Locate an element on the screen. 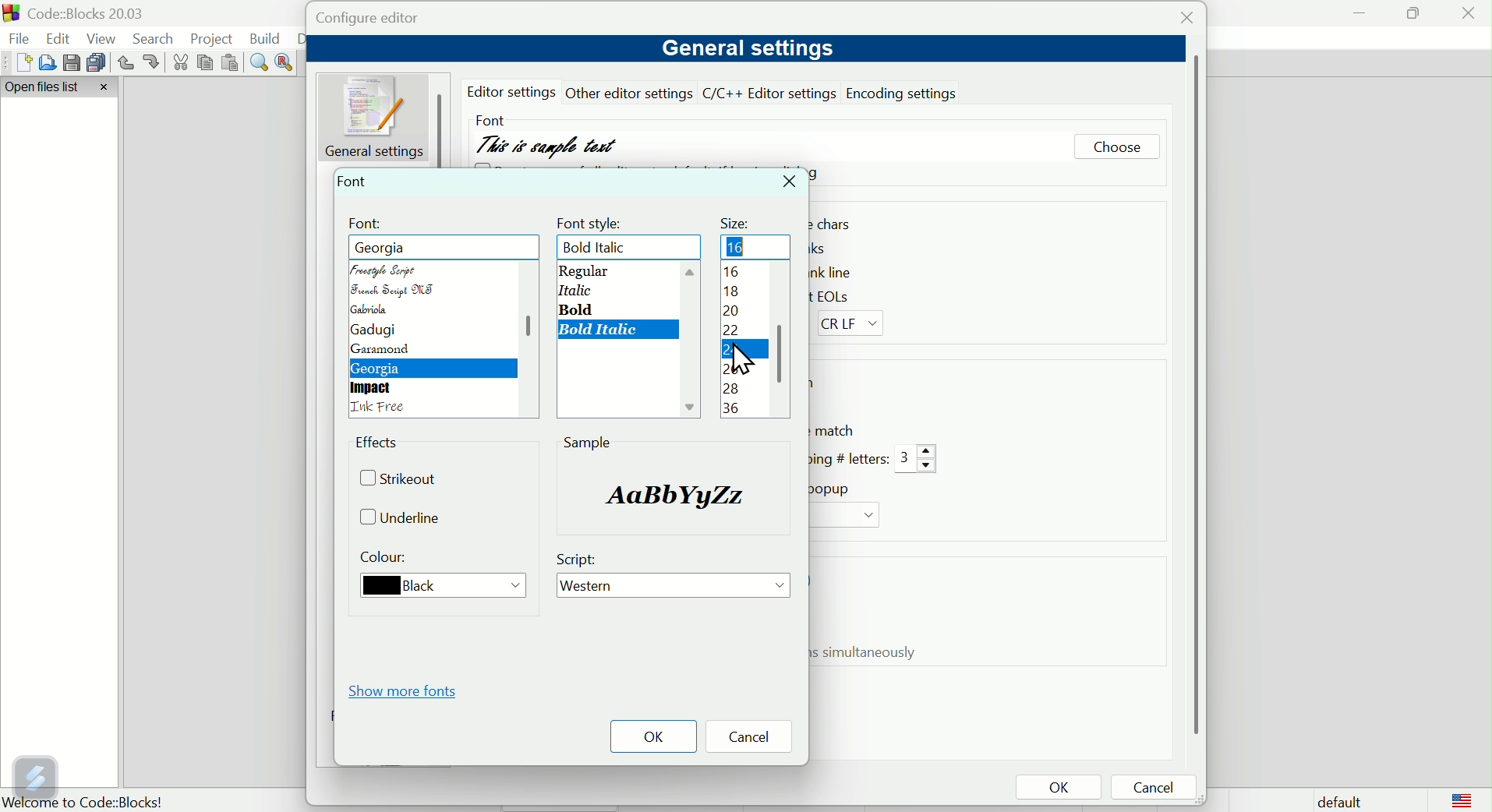  Font is located at coordinates (489, 117).